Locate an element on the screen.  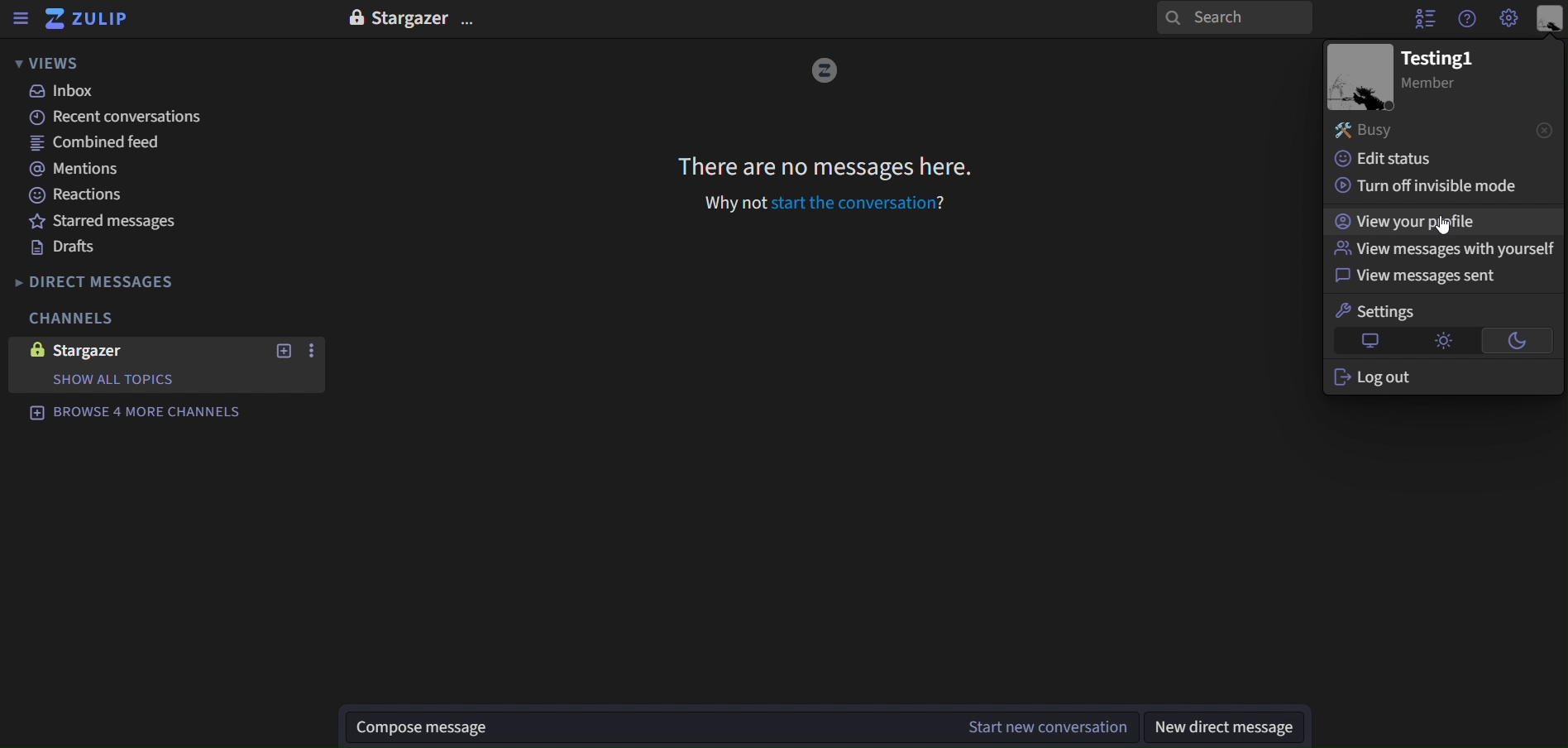
image is located at coordinates (825, 70).